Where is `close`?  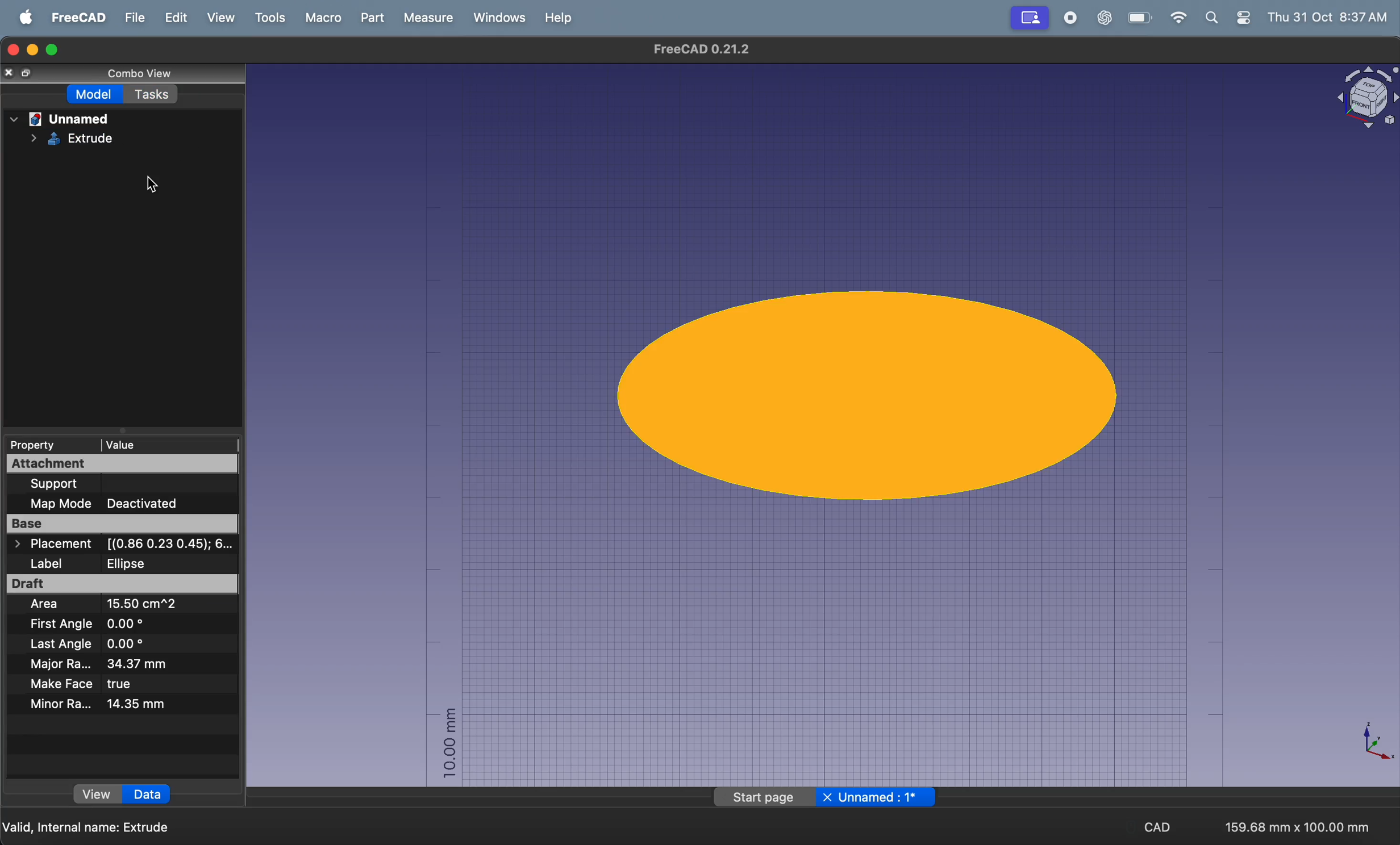
close is located at coordinates (19, 73).